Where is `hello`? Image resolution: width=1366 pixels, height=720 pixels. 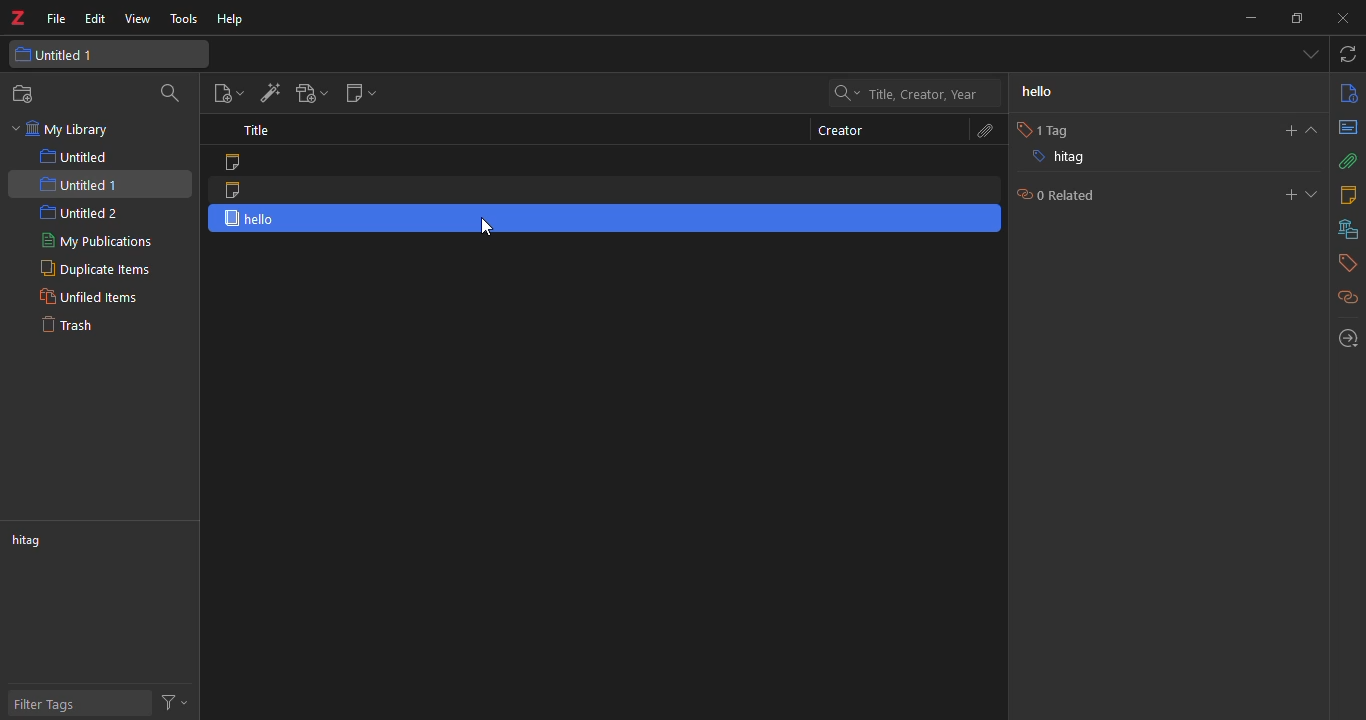 hello is located at coordinates (1052, 91).